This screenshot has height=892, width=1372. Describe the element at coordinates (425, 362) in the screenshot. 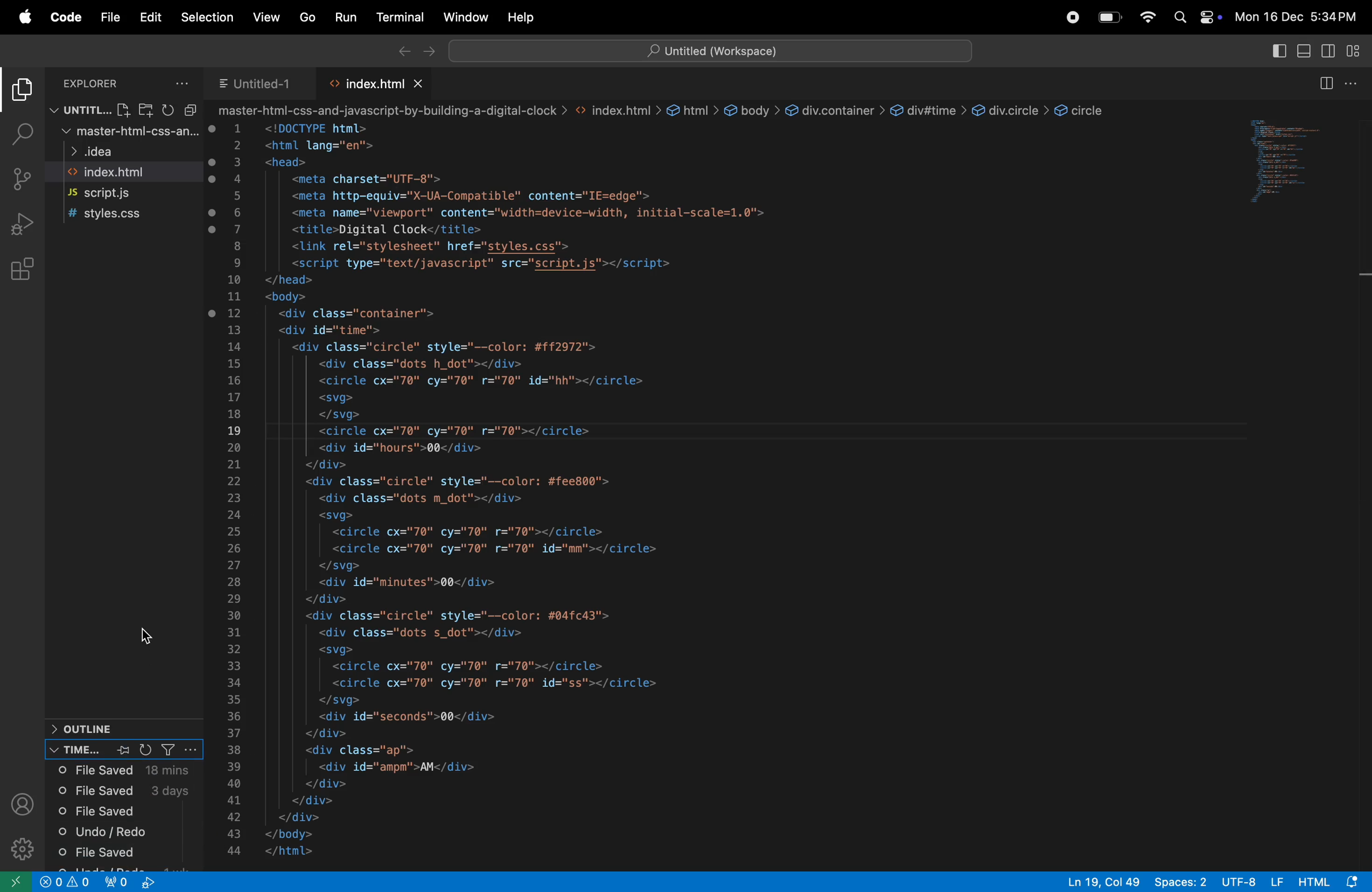

I see `| <div class="dots h_dot"></div>` at that location.